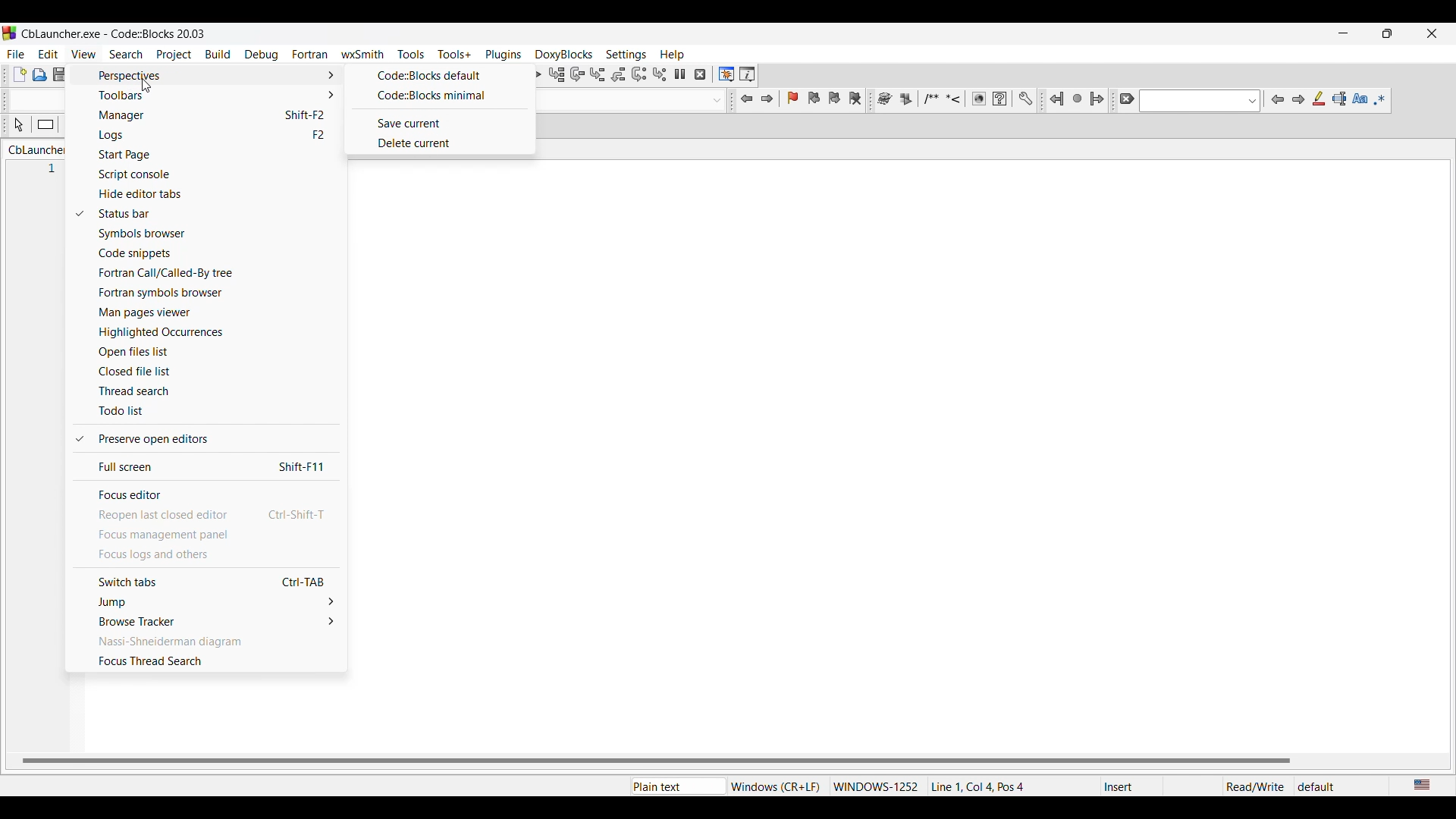 The width and height of the screenshot is (1456, 819). I want to click on Step info, so click(598, 74).